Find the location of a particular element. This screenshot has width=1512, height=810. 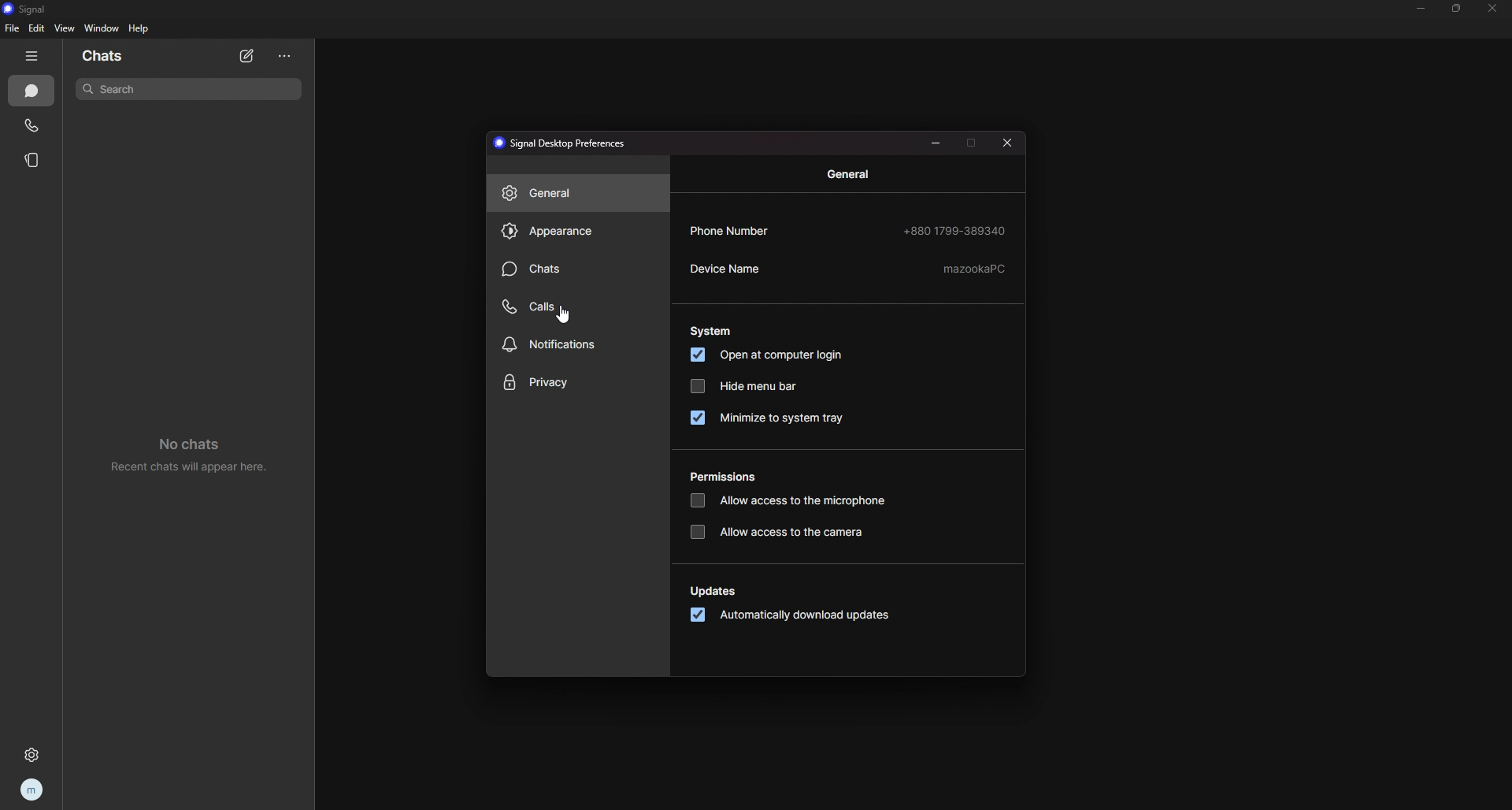

settings is located at coordinates (28, 756).